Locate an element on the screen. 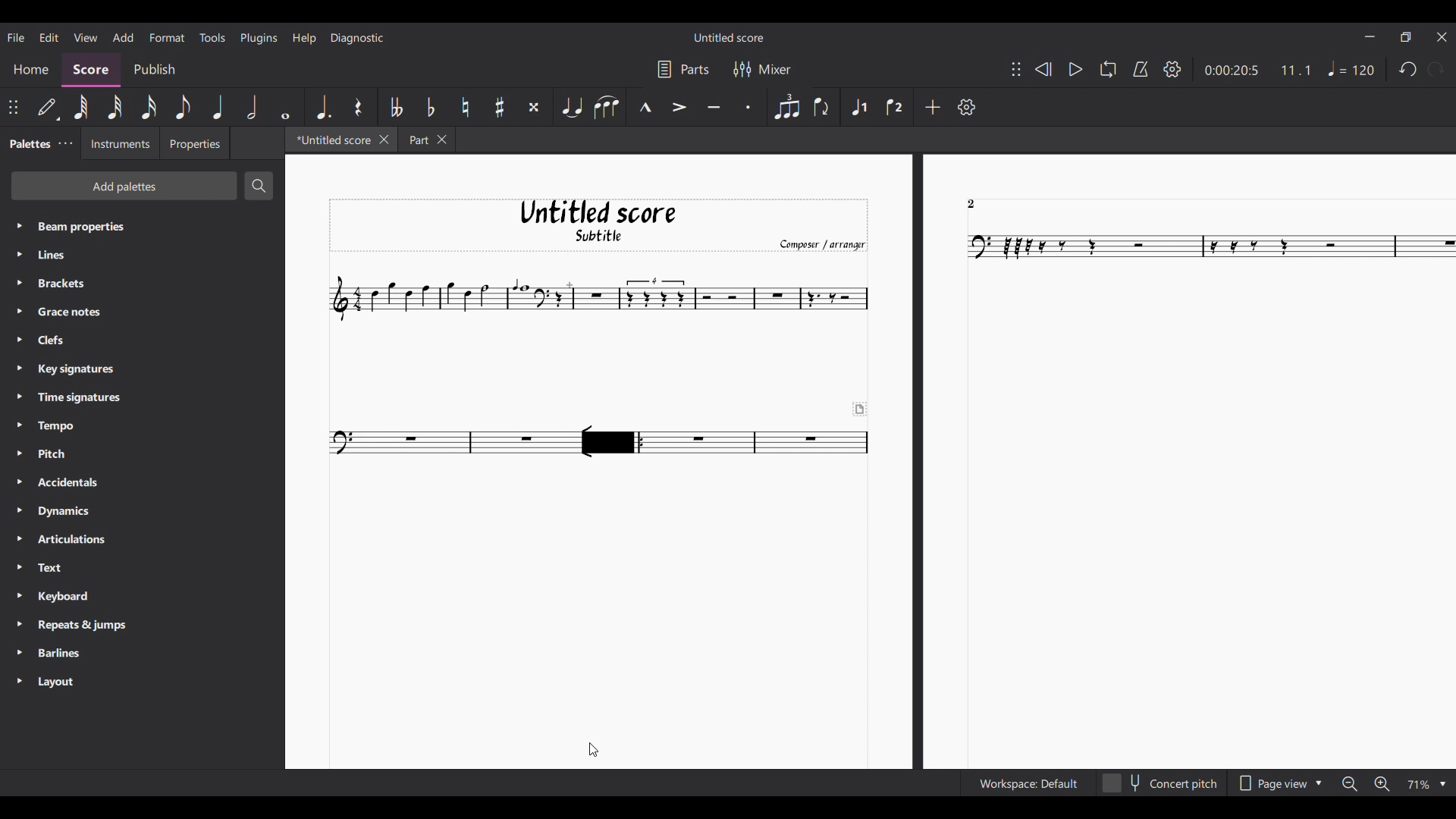 The width and height of the screenshot is (1456, 819). Rest is located at coordinates (359, 108).